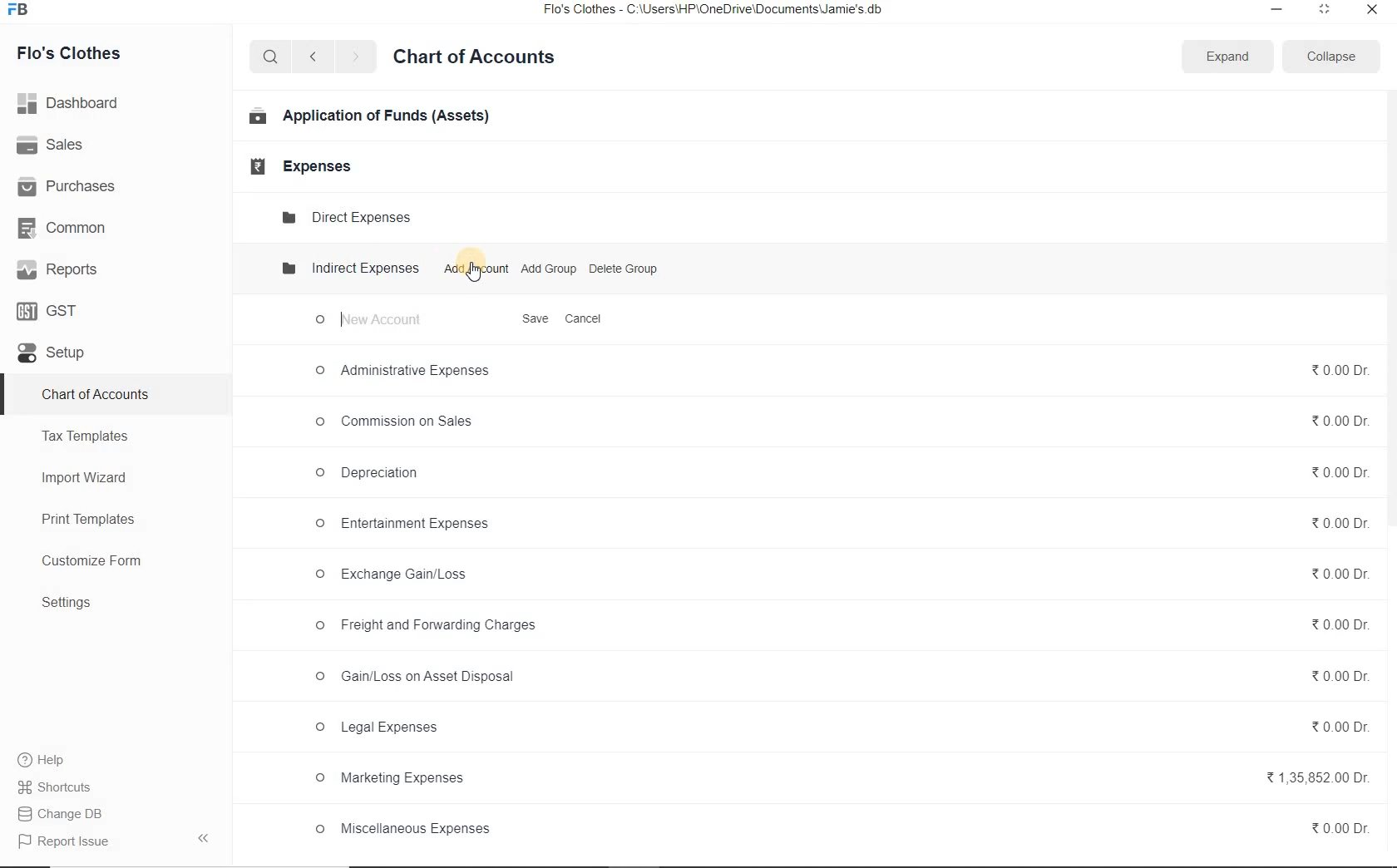 This screenshot has width=1397, height=868. Describe the element at coordinates (268, 57) in the screenshot. I see `search` at that location.